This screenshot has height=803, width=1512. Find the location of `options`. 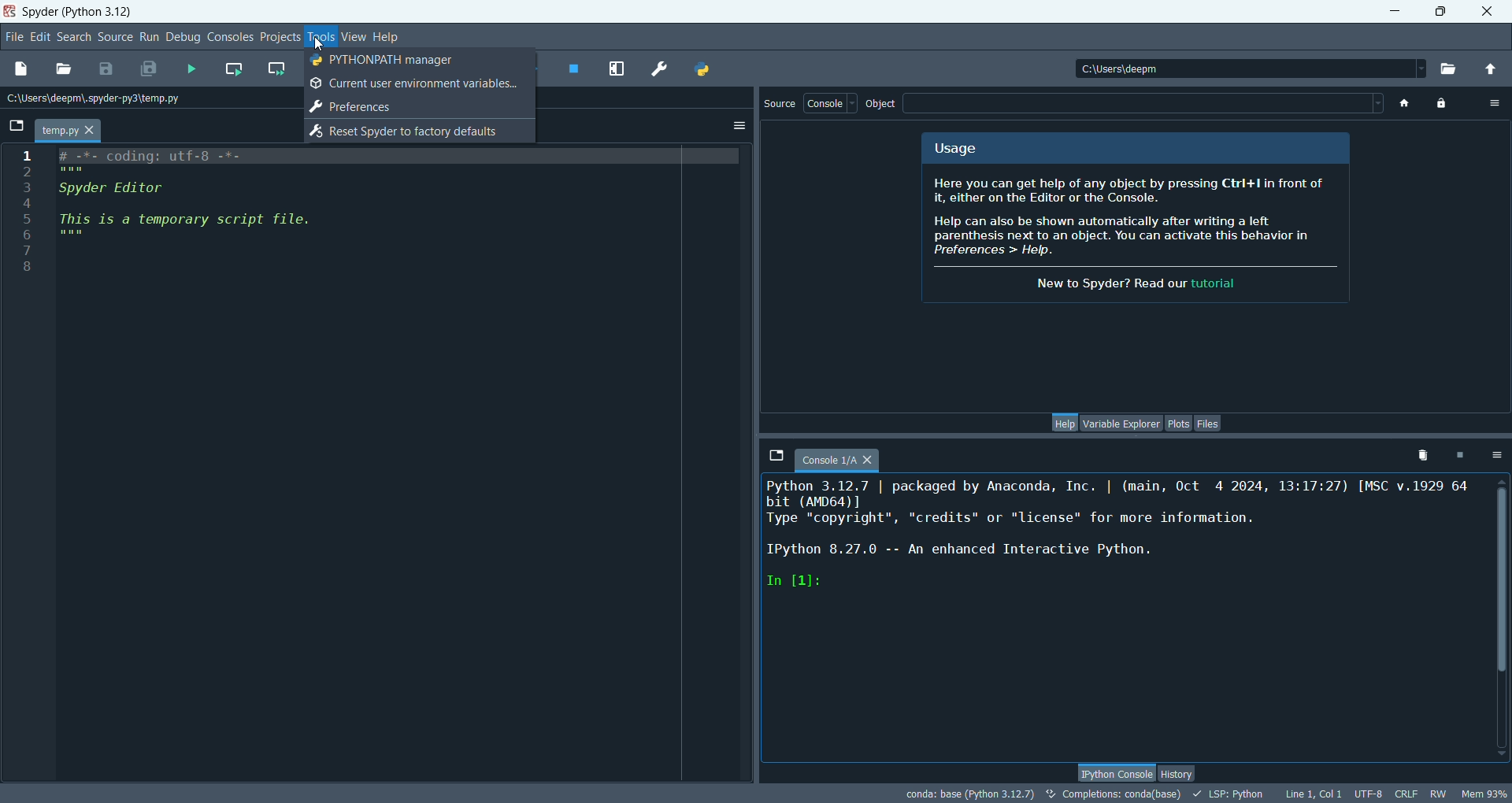

options is located at coordinates (740, 128).